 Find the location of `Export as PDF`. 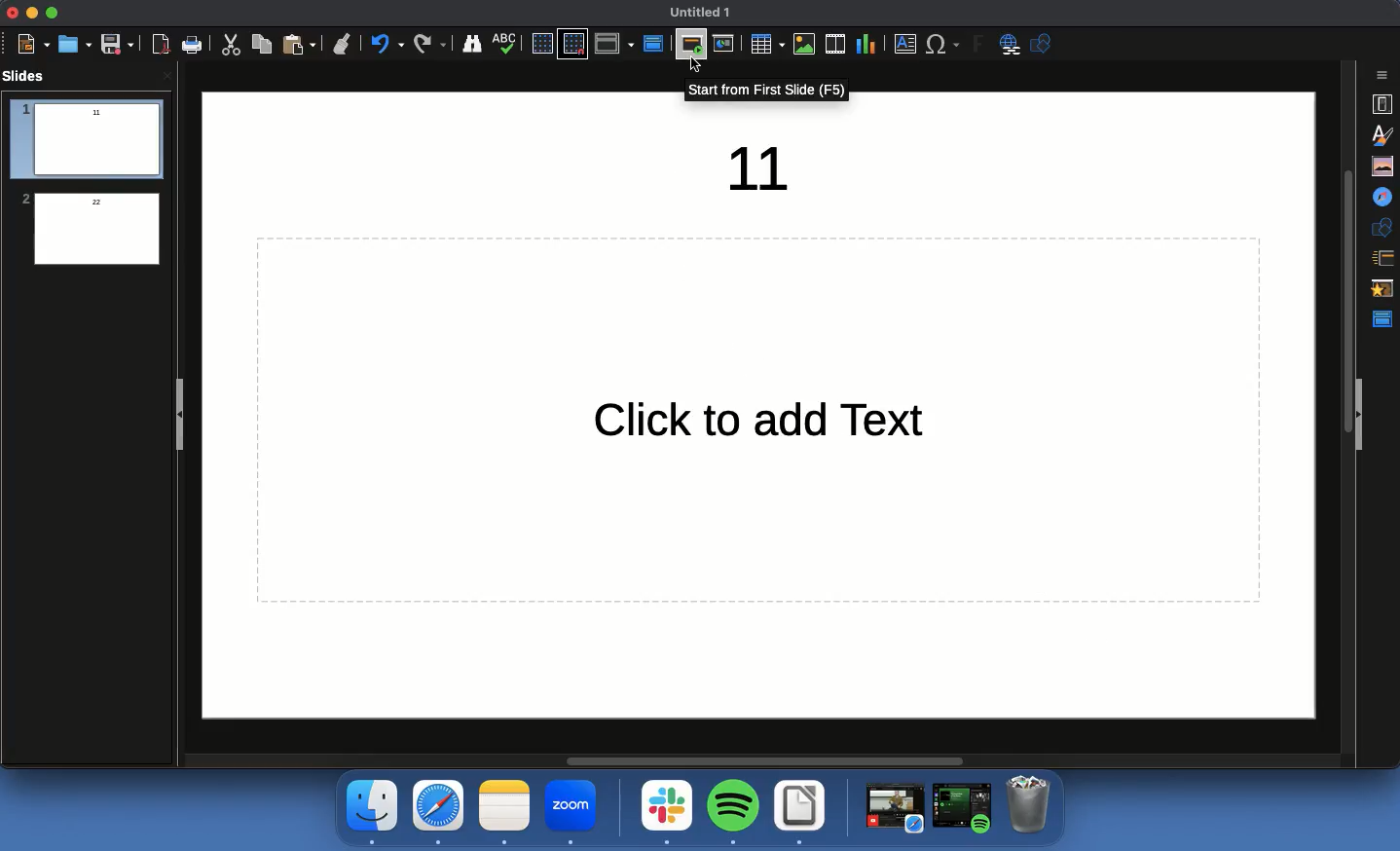

Export as PDF is located at coordinates (159, 46).